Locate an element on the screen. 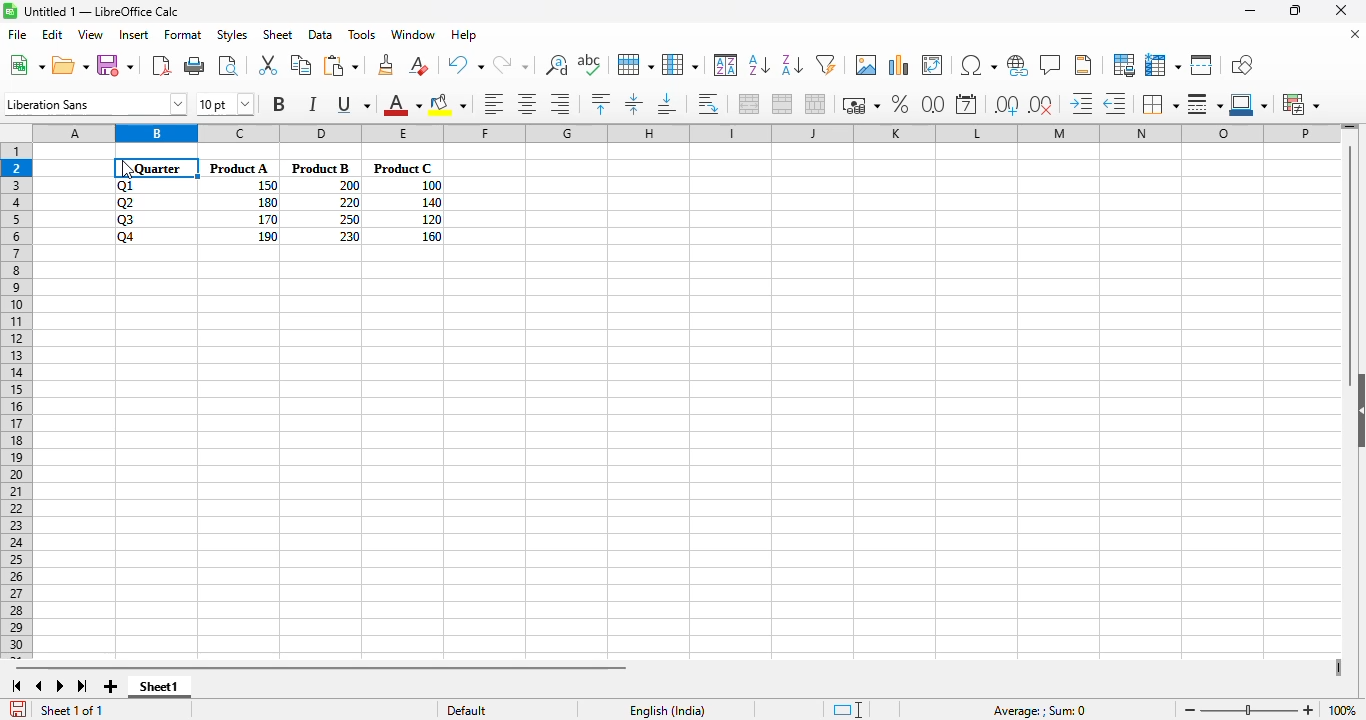  120 is located at coordinates (430, 219).